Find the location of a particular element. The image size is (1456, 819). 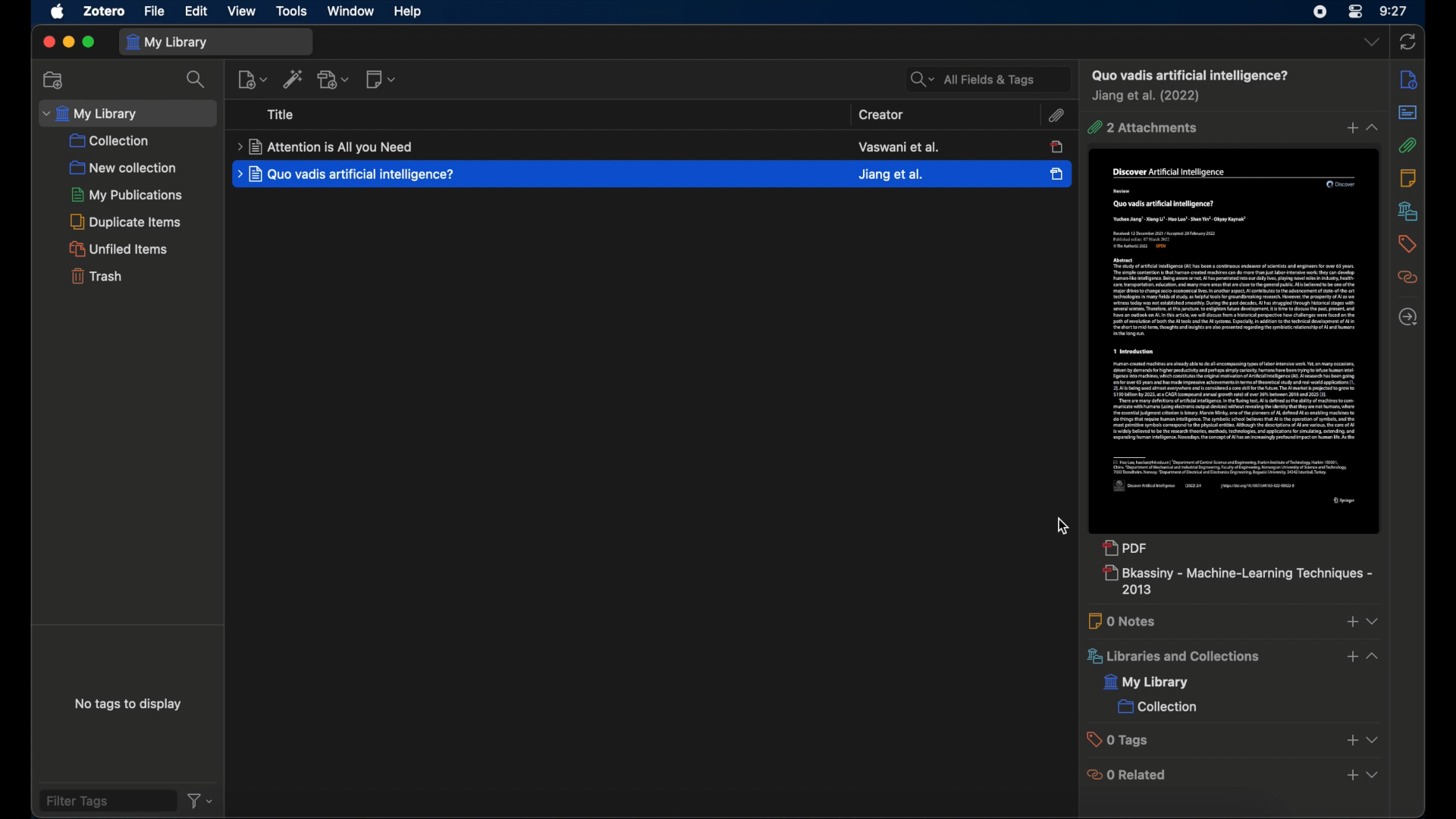

add is located at coordinates (1352, 773).